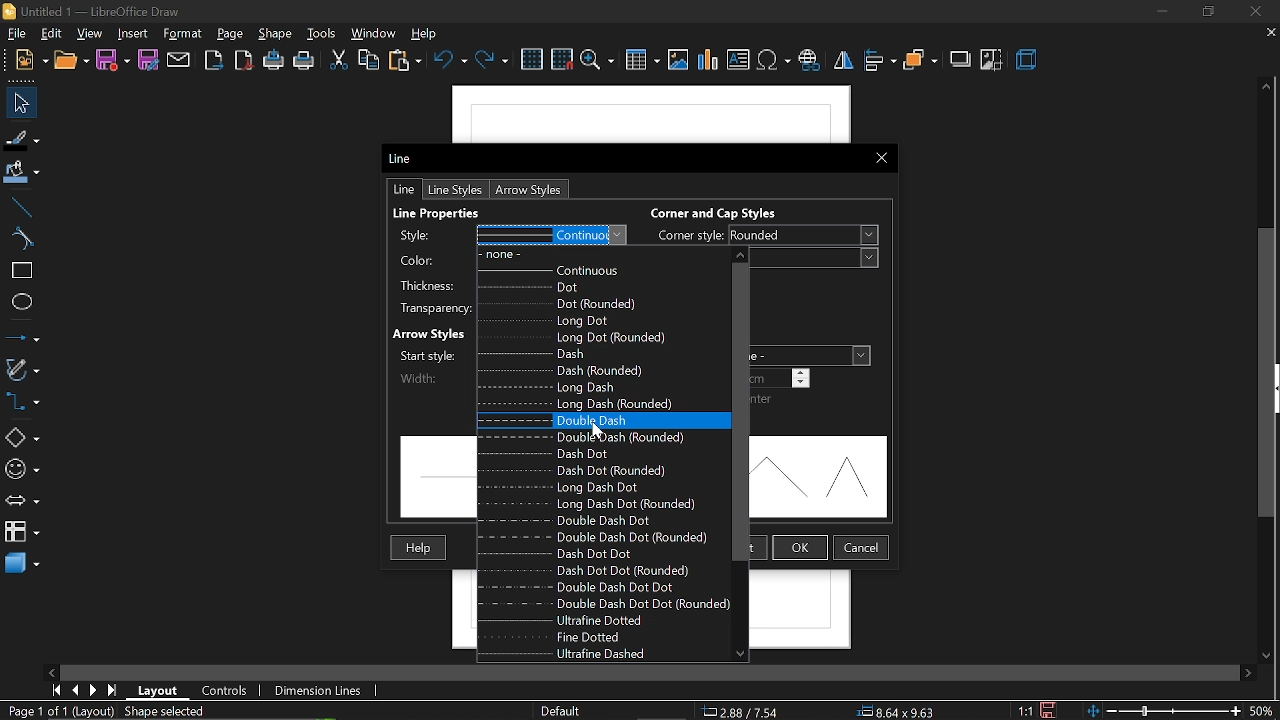 This screenshot has width=1280, height=720. Describe the element at coordinates (604, 638) in the screenshot. I see `Fine dotted` at that location.